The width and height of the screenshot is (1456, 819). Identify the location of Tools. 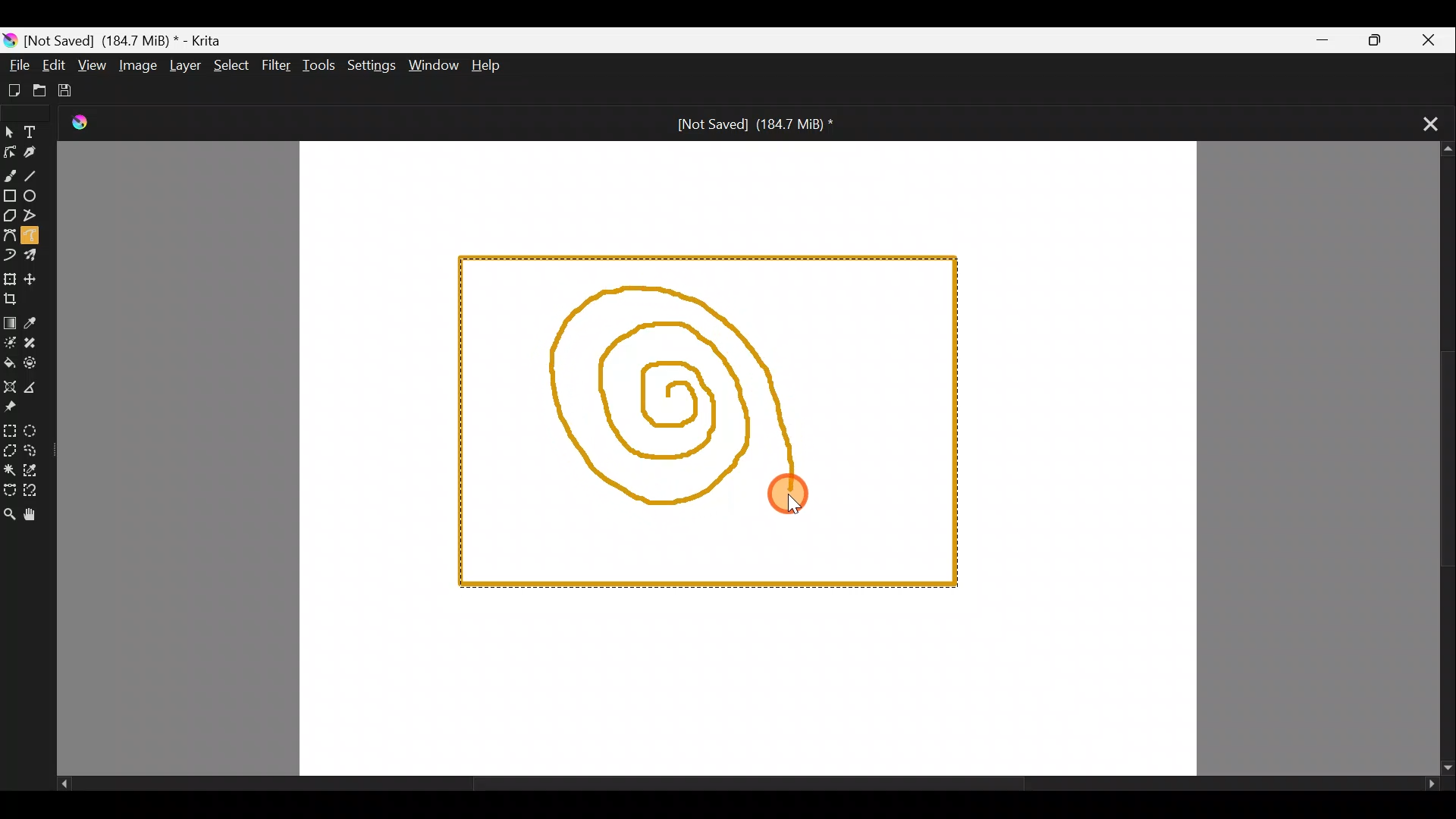
(318, 65).